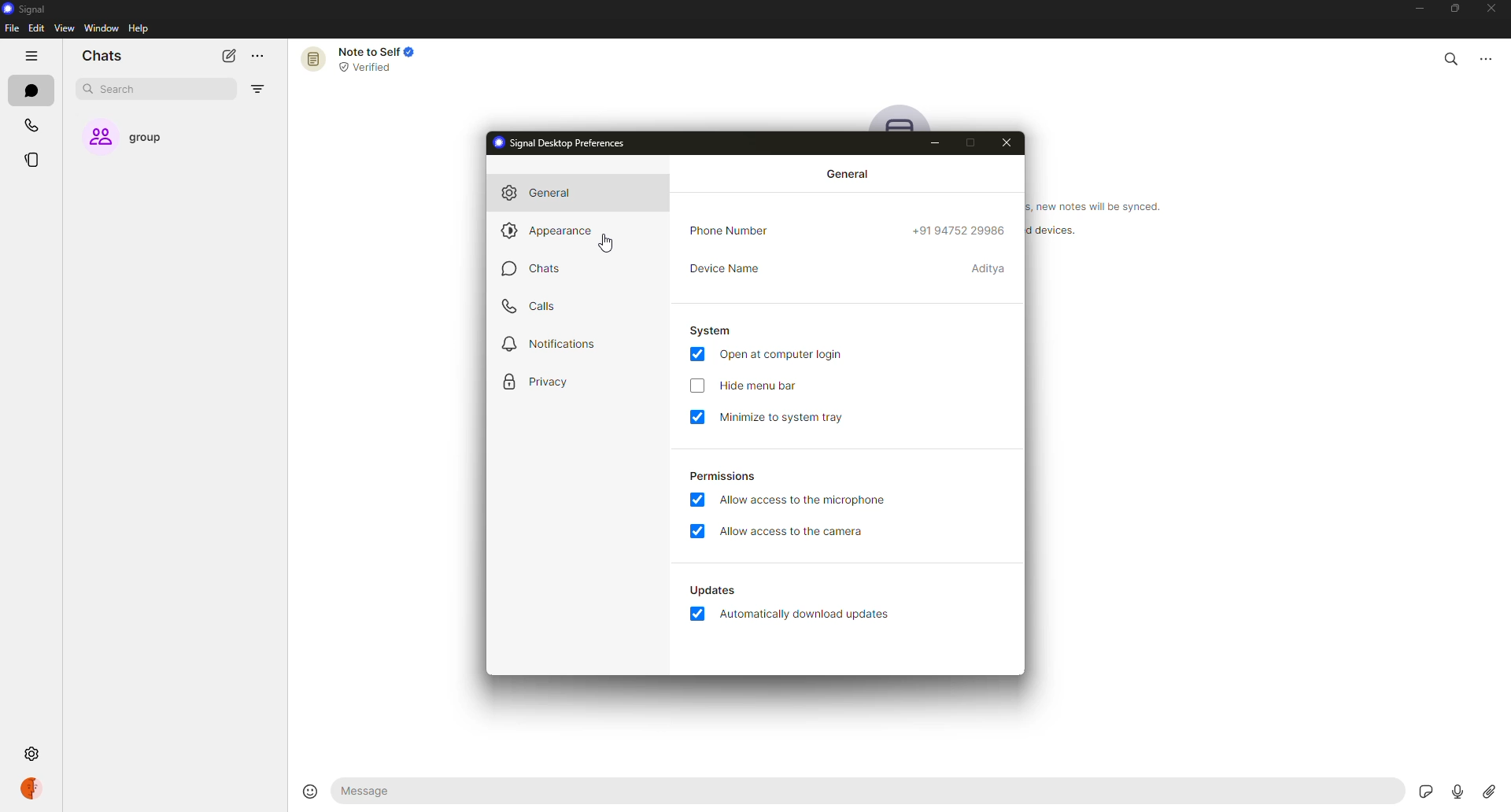 This screenshot has width=1511, height=812. I want to click on close, so click(1494, 9).